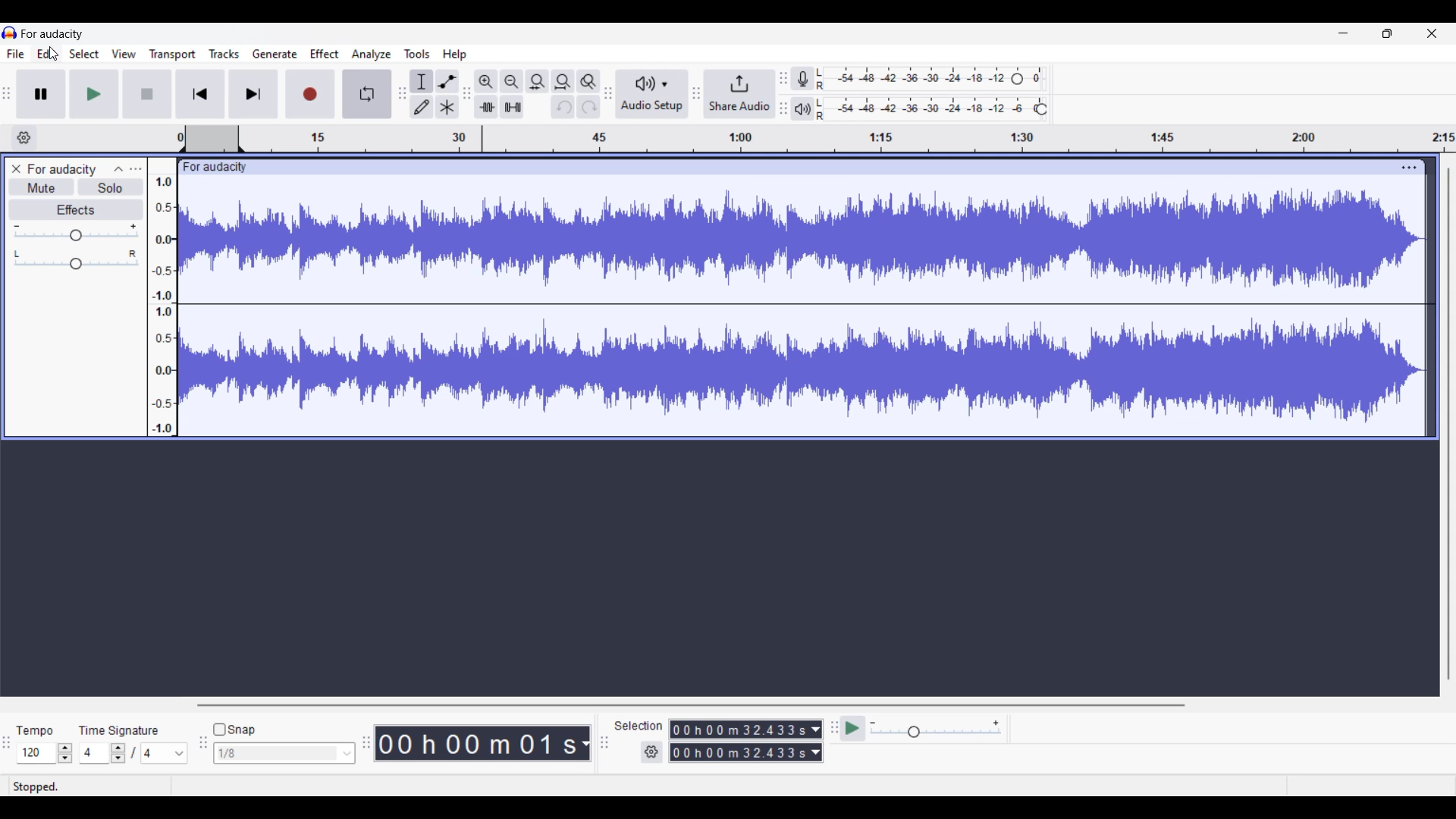 The width and height of the screenshot is (1456, 819). Describe the element at coordinates (124, 54) in the screenshot. I see `View menu` at that location.